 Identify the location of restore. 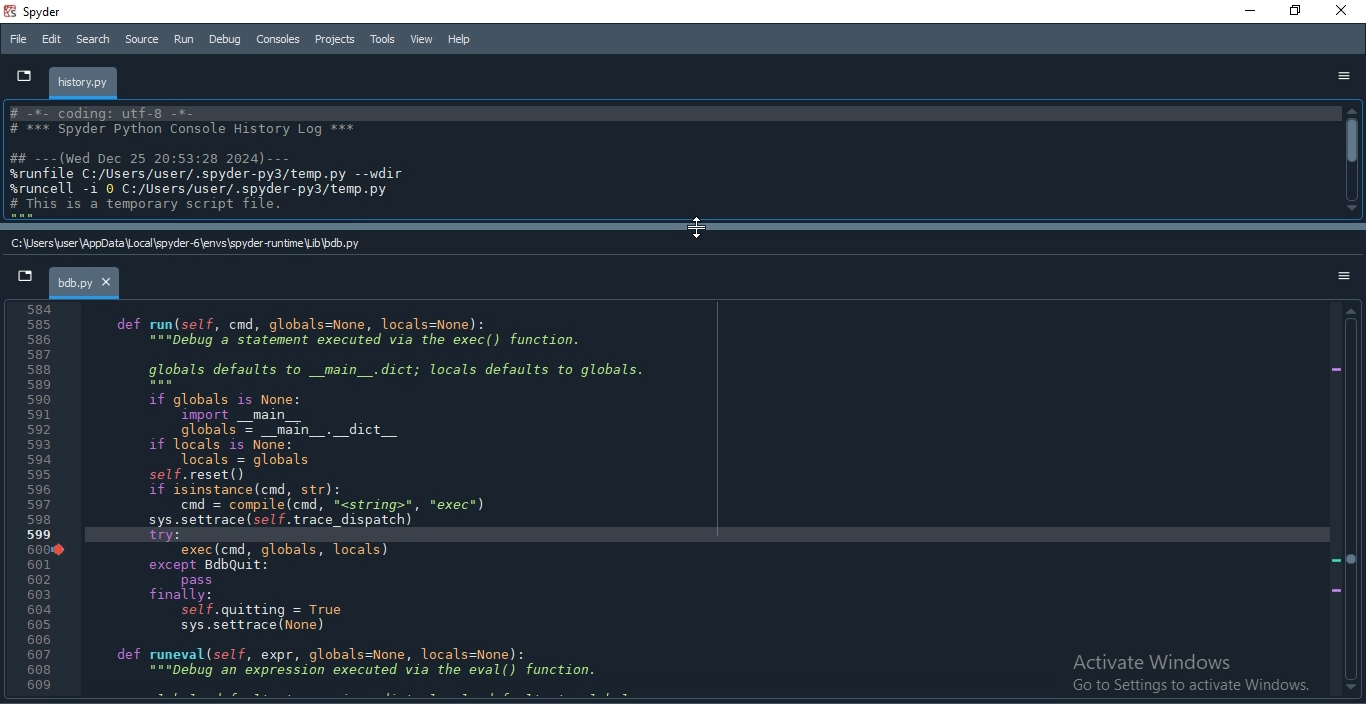
(1296, 12).